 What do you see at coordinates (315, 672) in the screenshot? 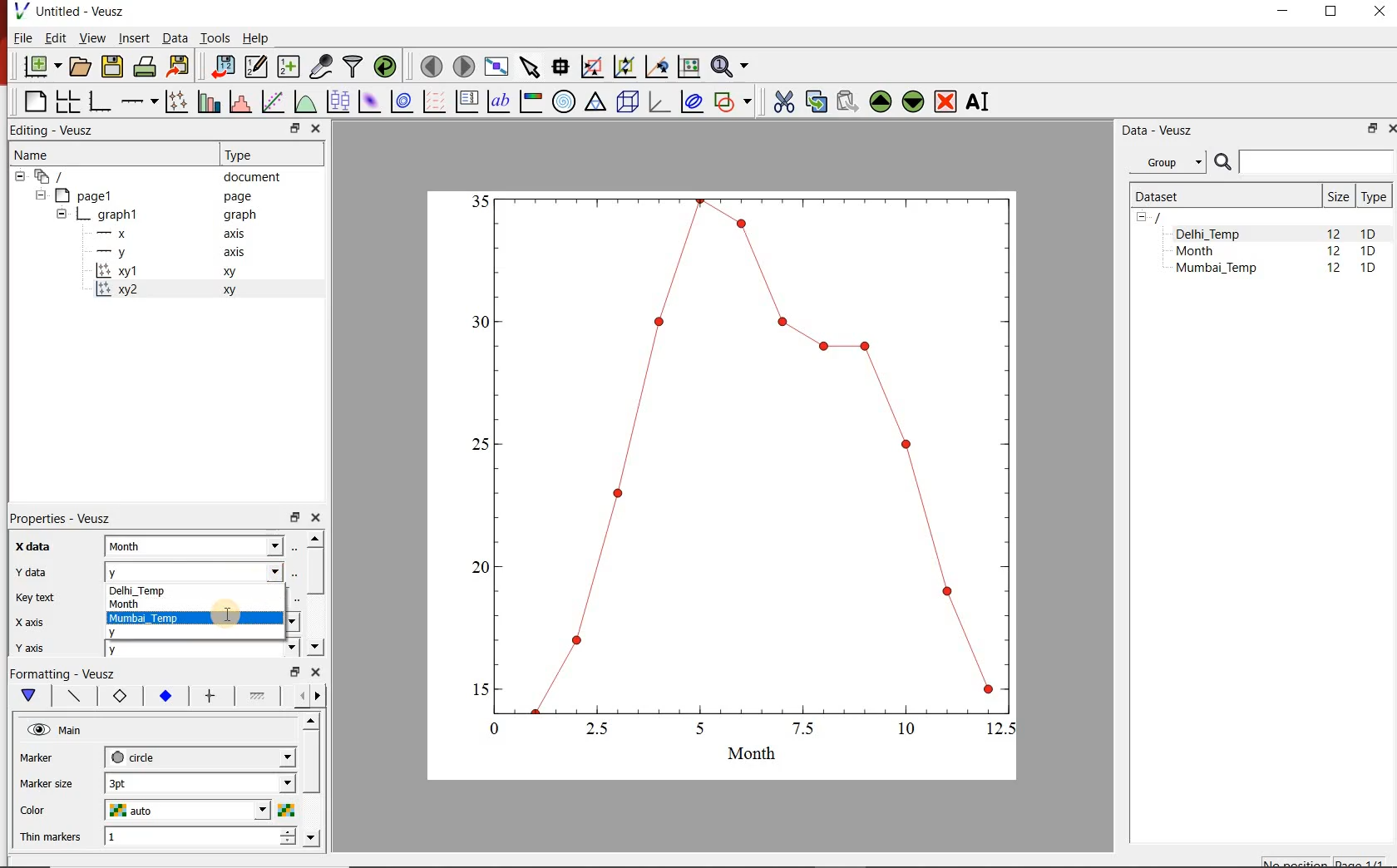
I see `close` at bounding box center [315, 672].